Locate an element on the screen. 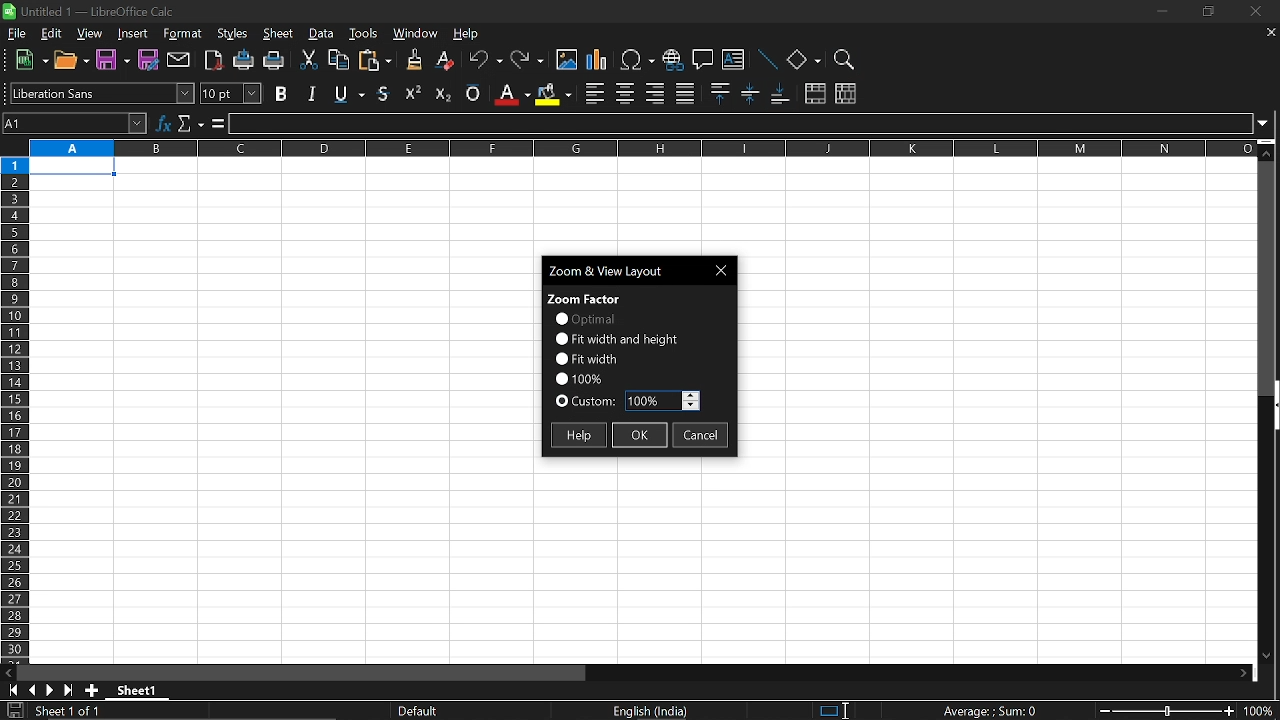 This screenshot has height=720, width=1280. eraser is located at coordinates (446, 61).